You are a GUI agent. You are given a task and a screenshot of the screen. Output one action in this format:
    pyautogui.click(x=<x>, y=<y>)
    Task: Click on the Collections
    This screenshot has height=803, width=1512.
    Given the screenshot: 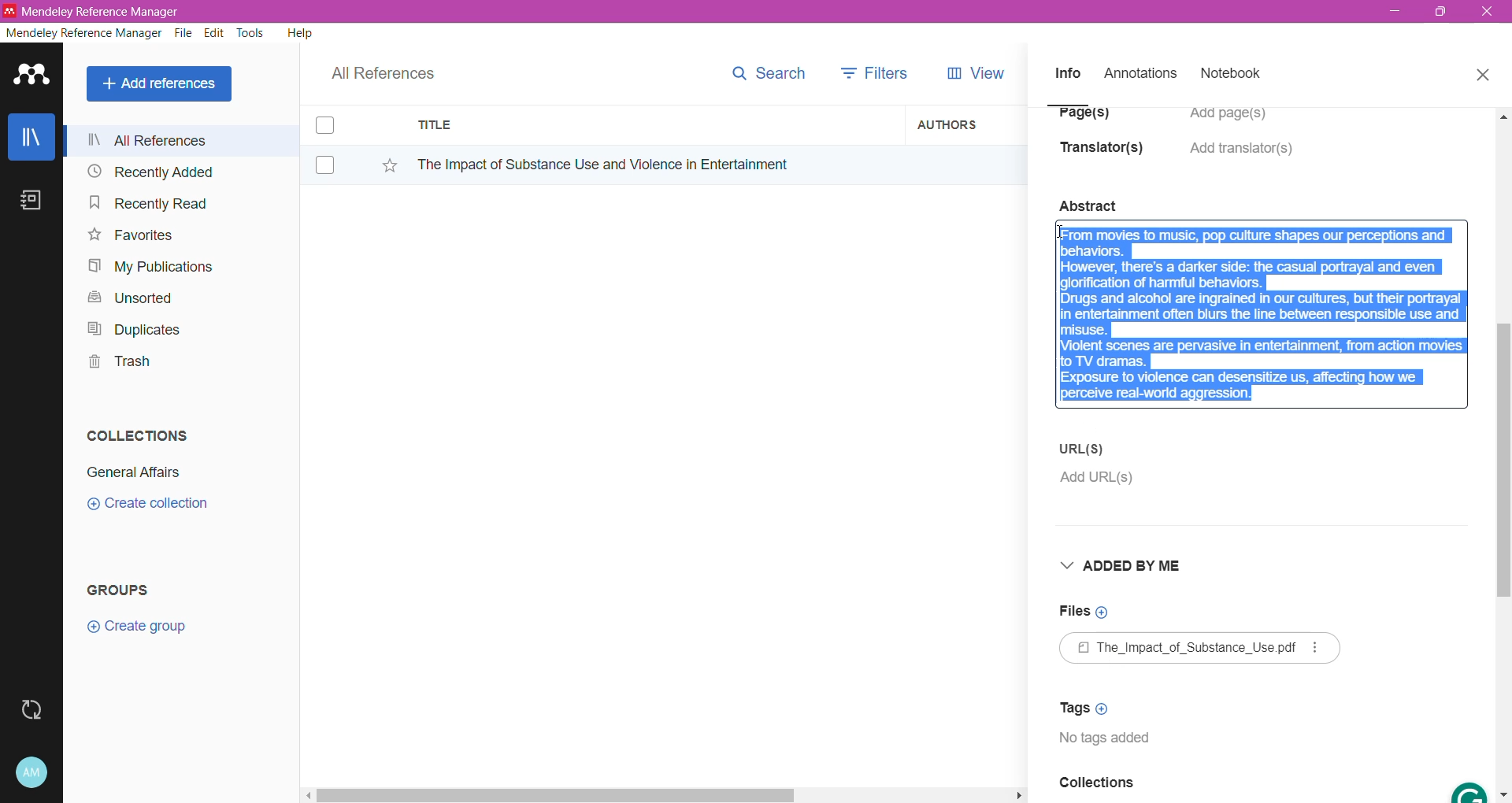 What is the action you would take?
    pyautogui.click(x=133, y=432)
    